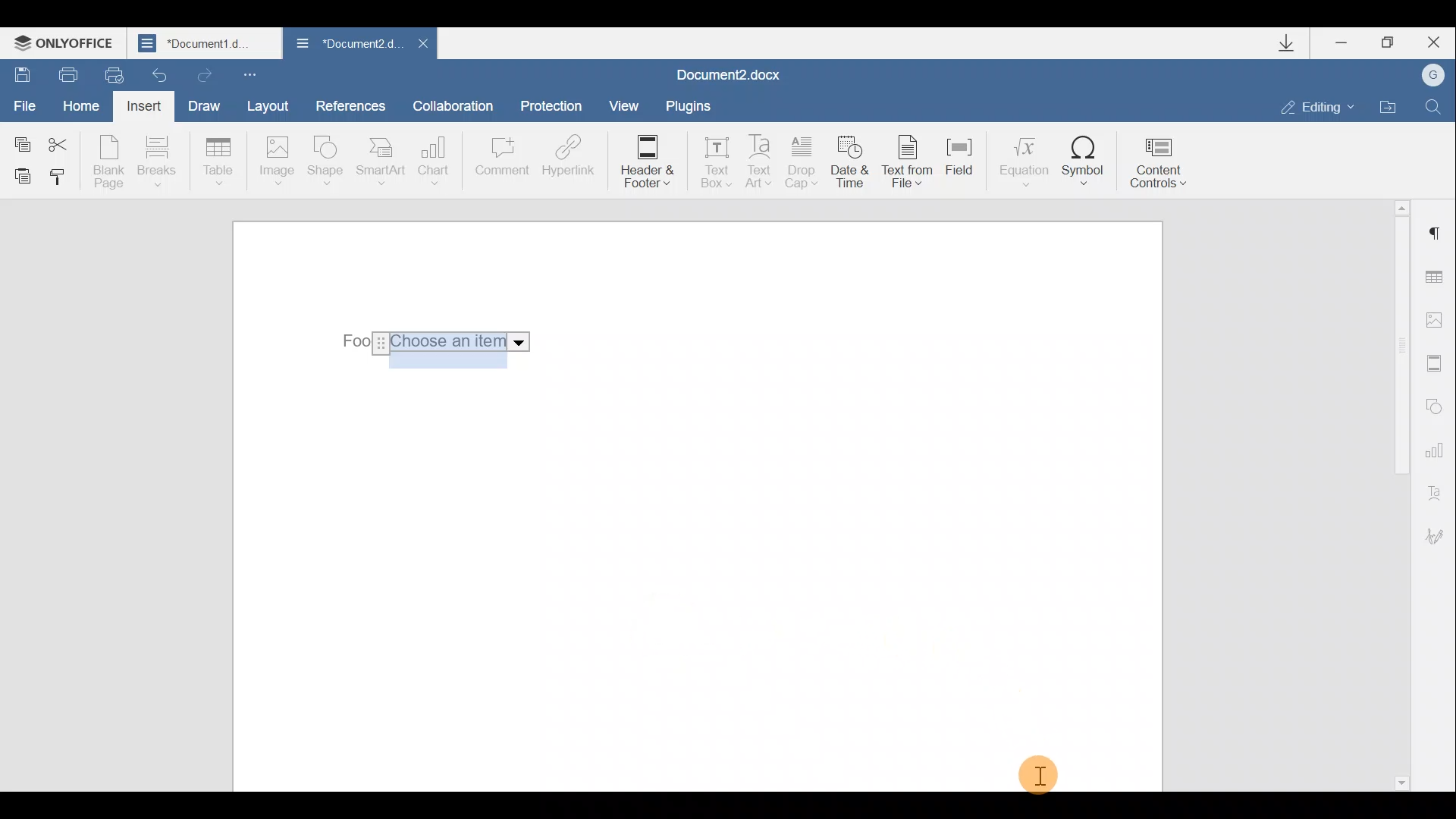 The width and height of the screenshot is (1456, 819). Describe the element at coordinates (437, 161) in the screenshot. I see `Chart` at that location.